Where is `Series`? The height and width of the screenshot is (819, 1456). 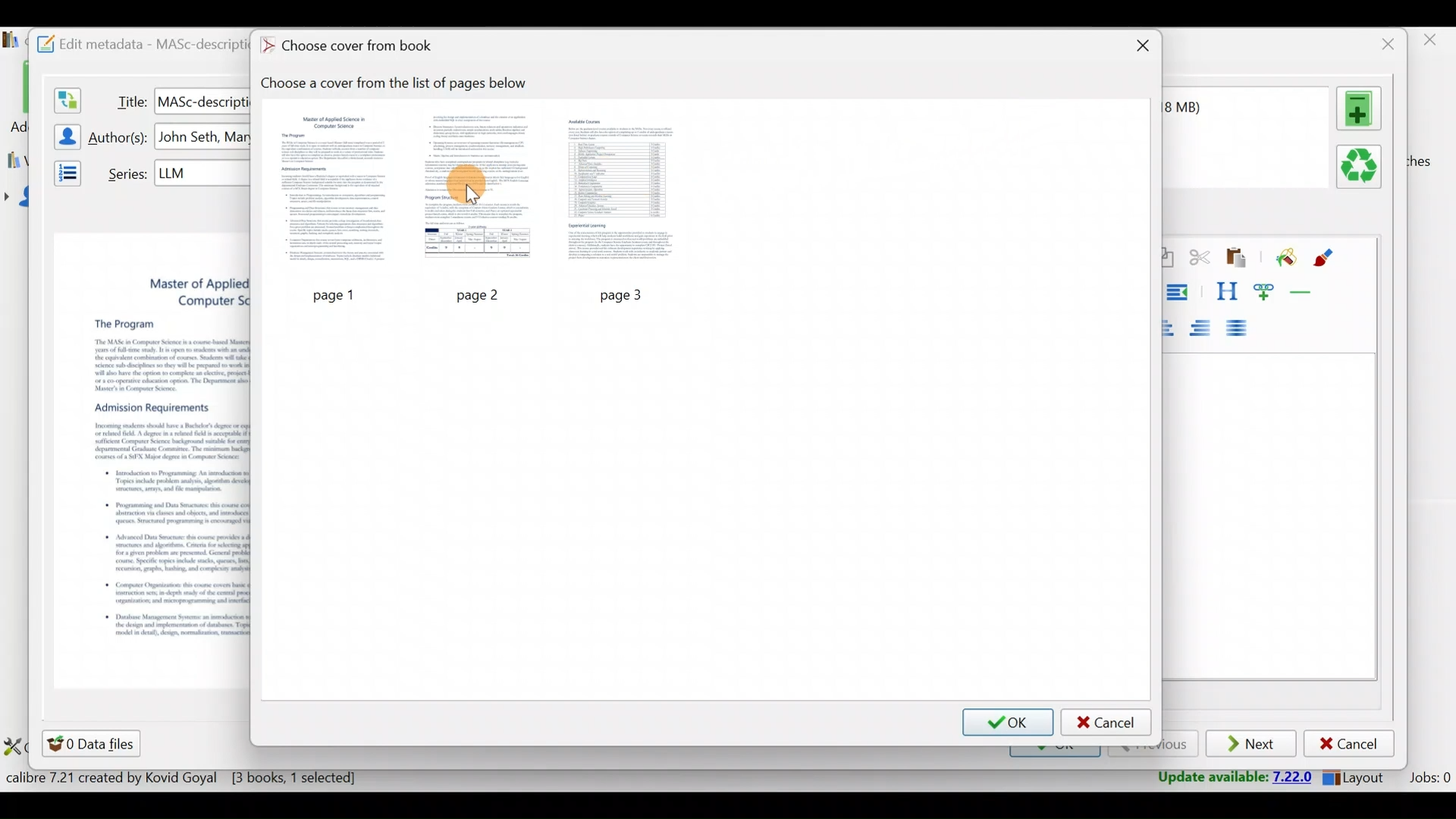
Series is located at coordinates (124, 172).